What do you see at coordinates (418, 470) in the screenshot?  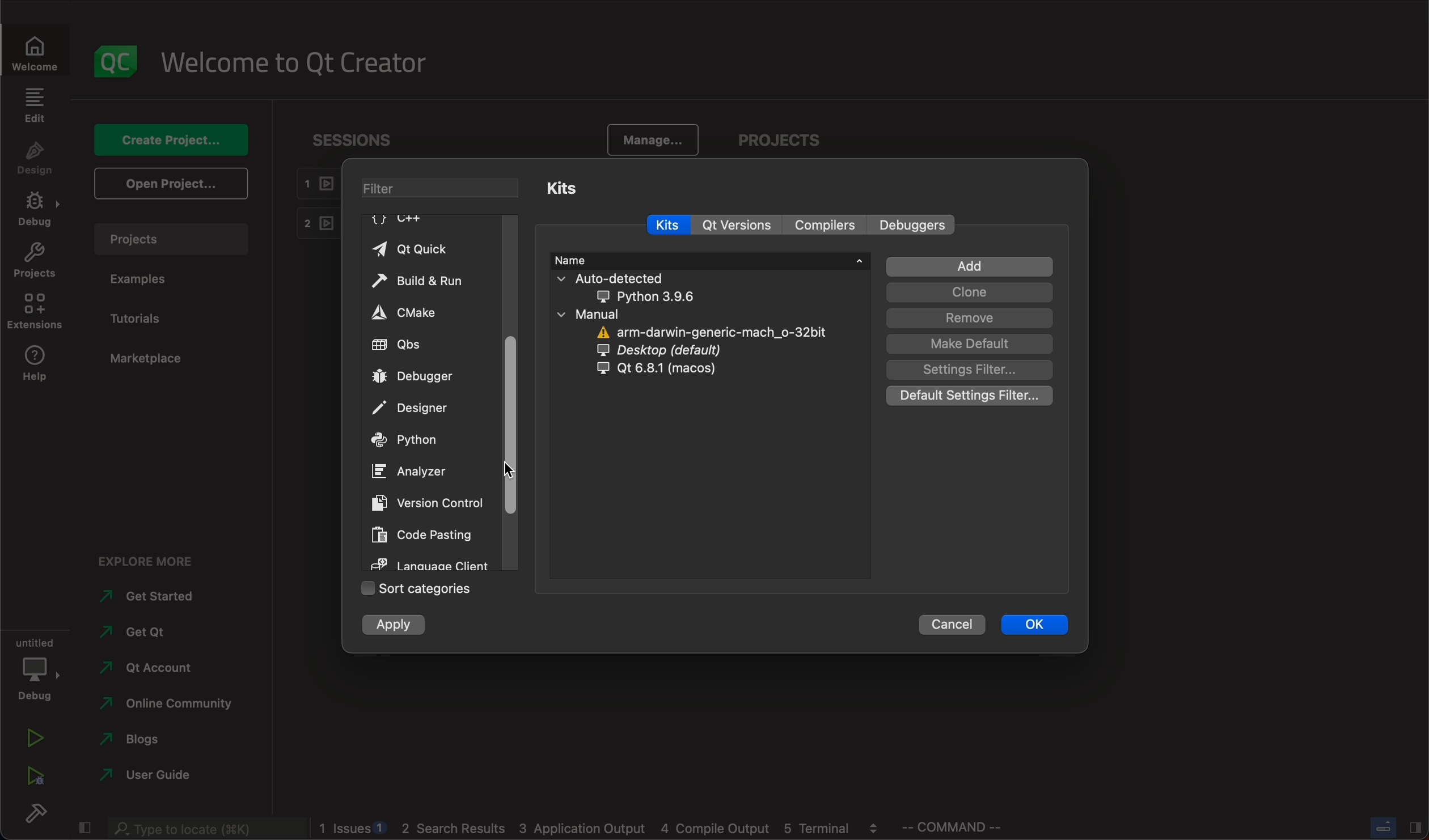 I see `analyzer` at bounding box center [418, 470].